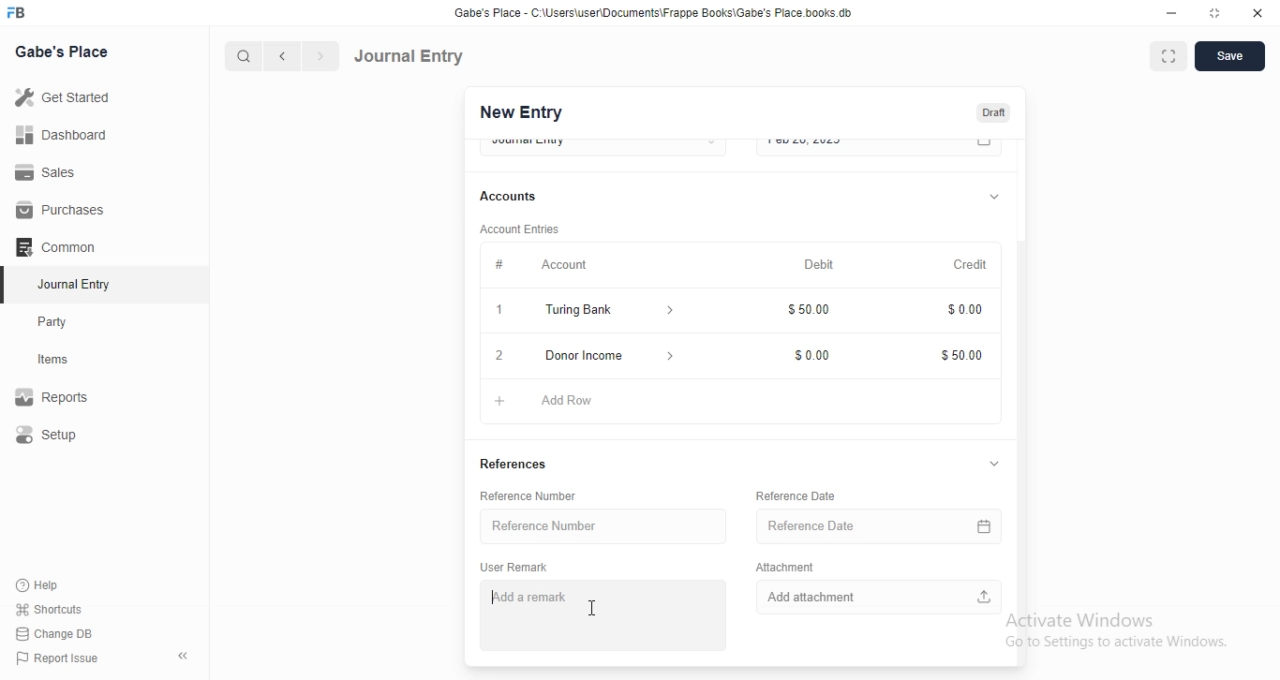 This screenshot has height=680, width=1280. What do you see at coordinates (813, 312) in the screenshot?
I see `$50.00` at bounding box center [813, 312].